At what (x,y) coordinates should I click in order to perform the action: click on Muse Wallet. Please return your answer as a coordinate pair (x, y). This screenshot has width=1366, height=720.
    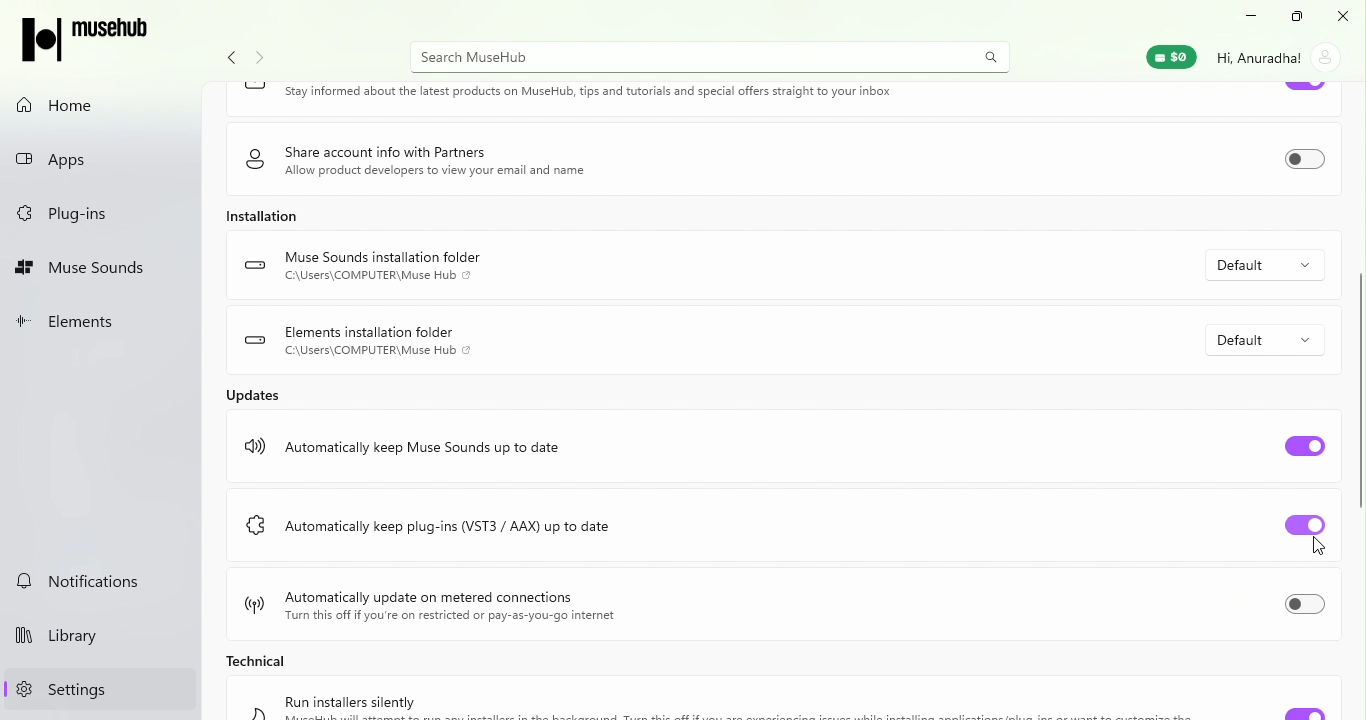
    Looking at the image, I should click on (1170, 58).